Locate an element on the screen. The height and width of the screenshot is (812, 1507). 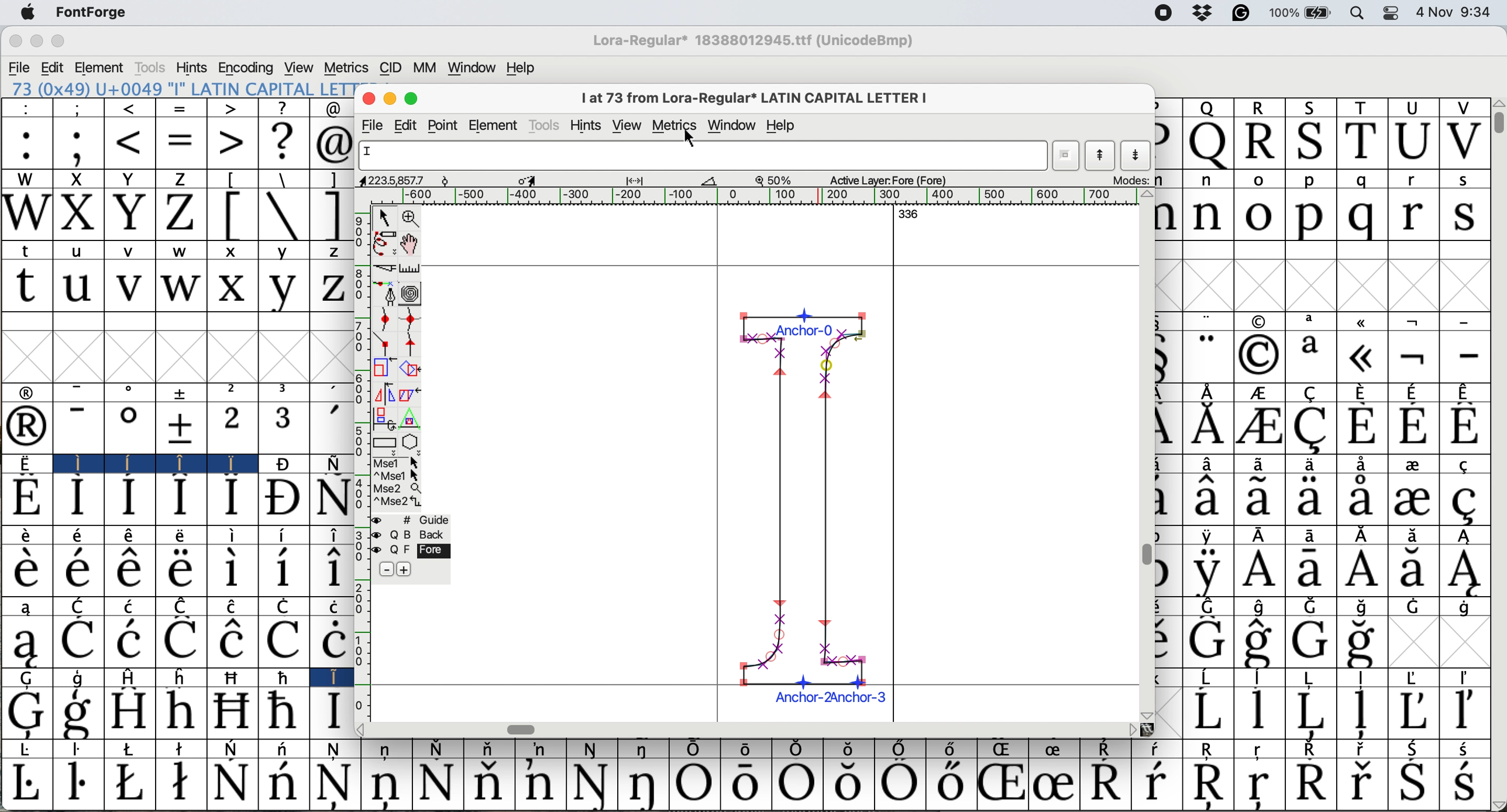
Symbol is located at coordinates (902, 785).